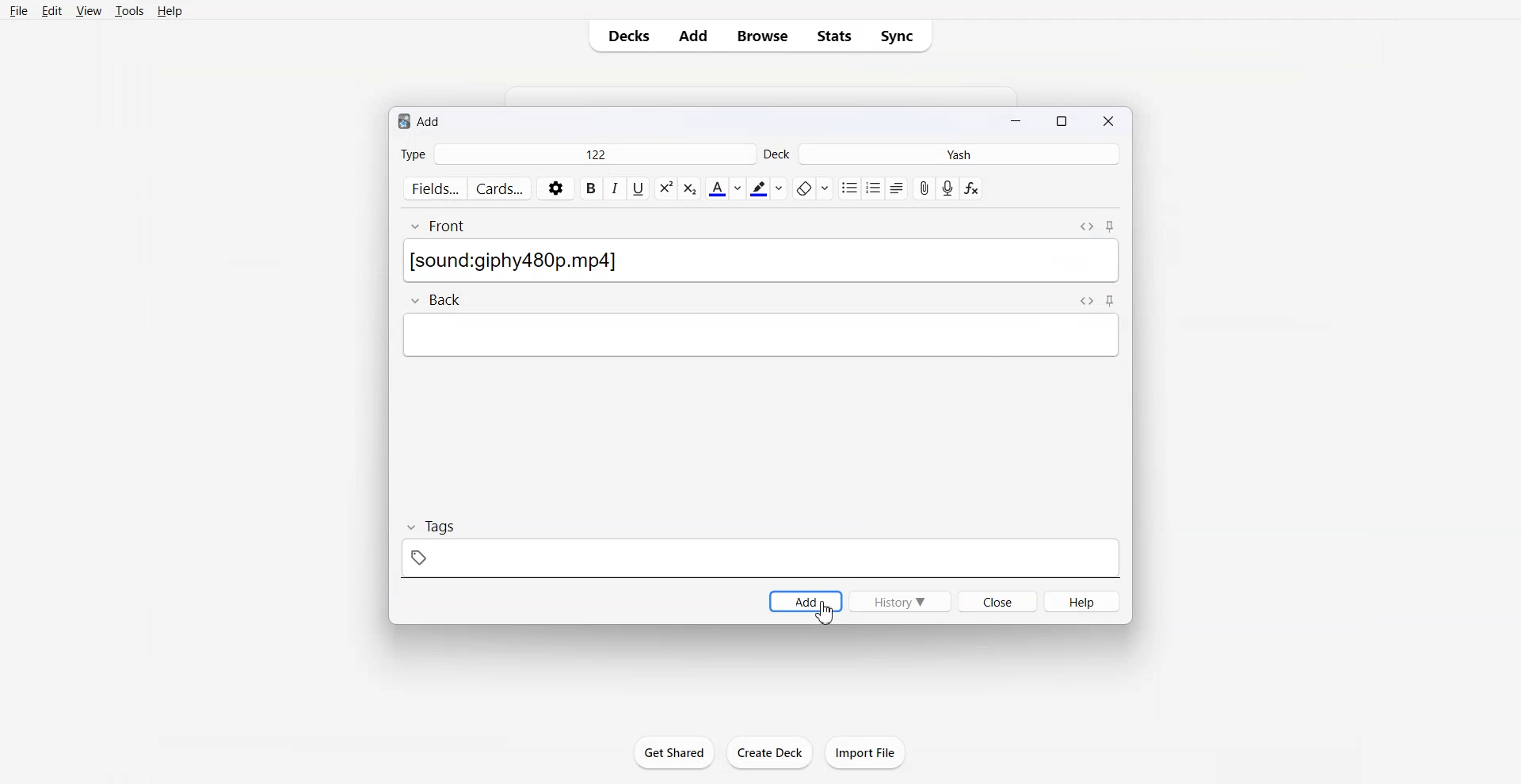 This screenshot has width=1521, height=784. I want to click on Subscript, so click(665, 188).